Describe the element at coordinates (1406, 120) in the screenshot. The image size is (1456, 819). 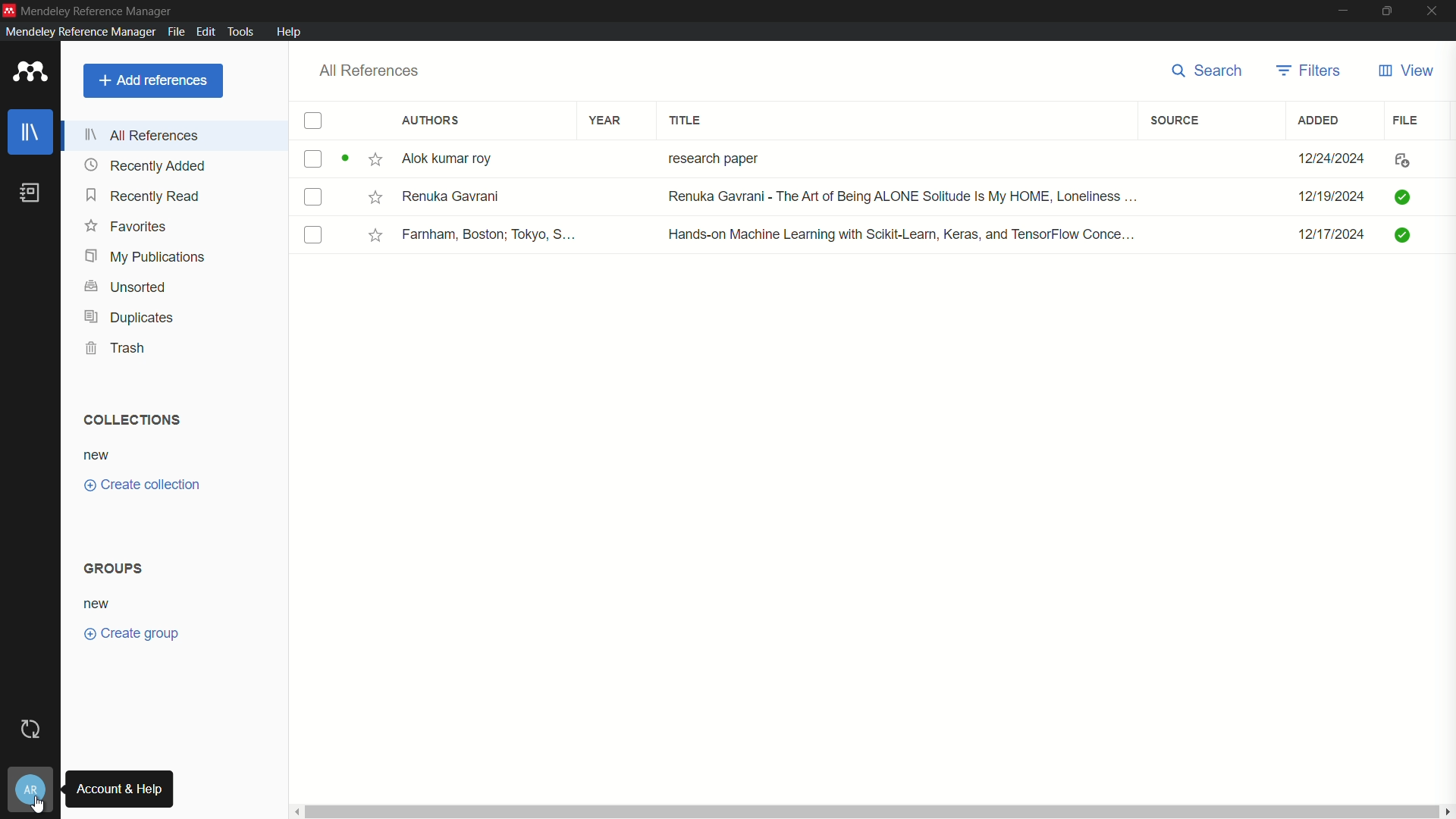
I see `file` at that location.